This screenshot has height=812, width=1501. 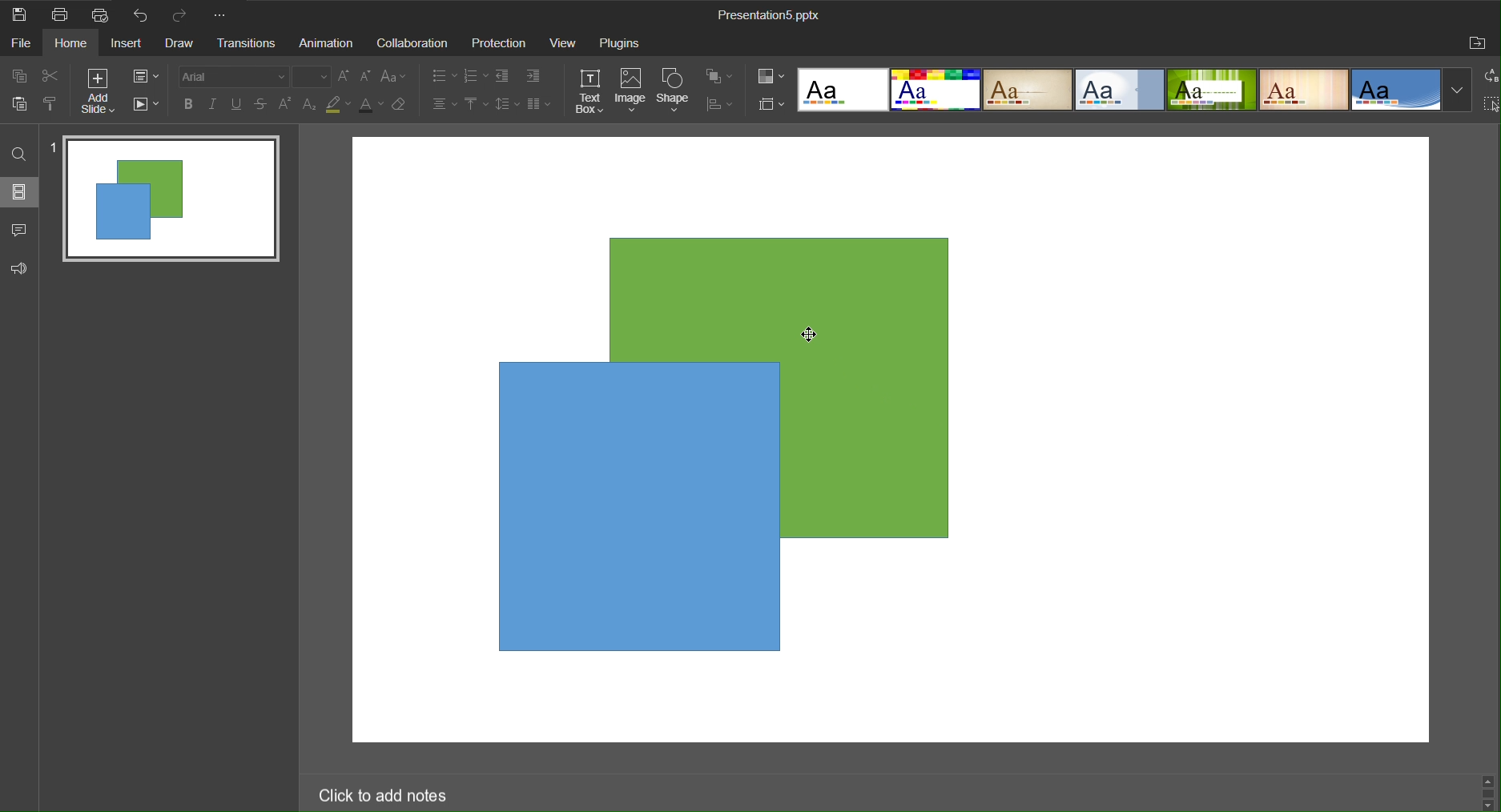 What do you see at coordinates (284, 107) in the screenshot?
I see `Superscript` at bounding box center [284, 107].